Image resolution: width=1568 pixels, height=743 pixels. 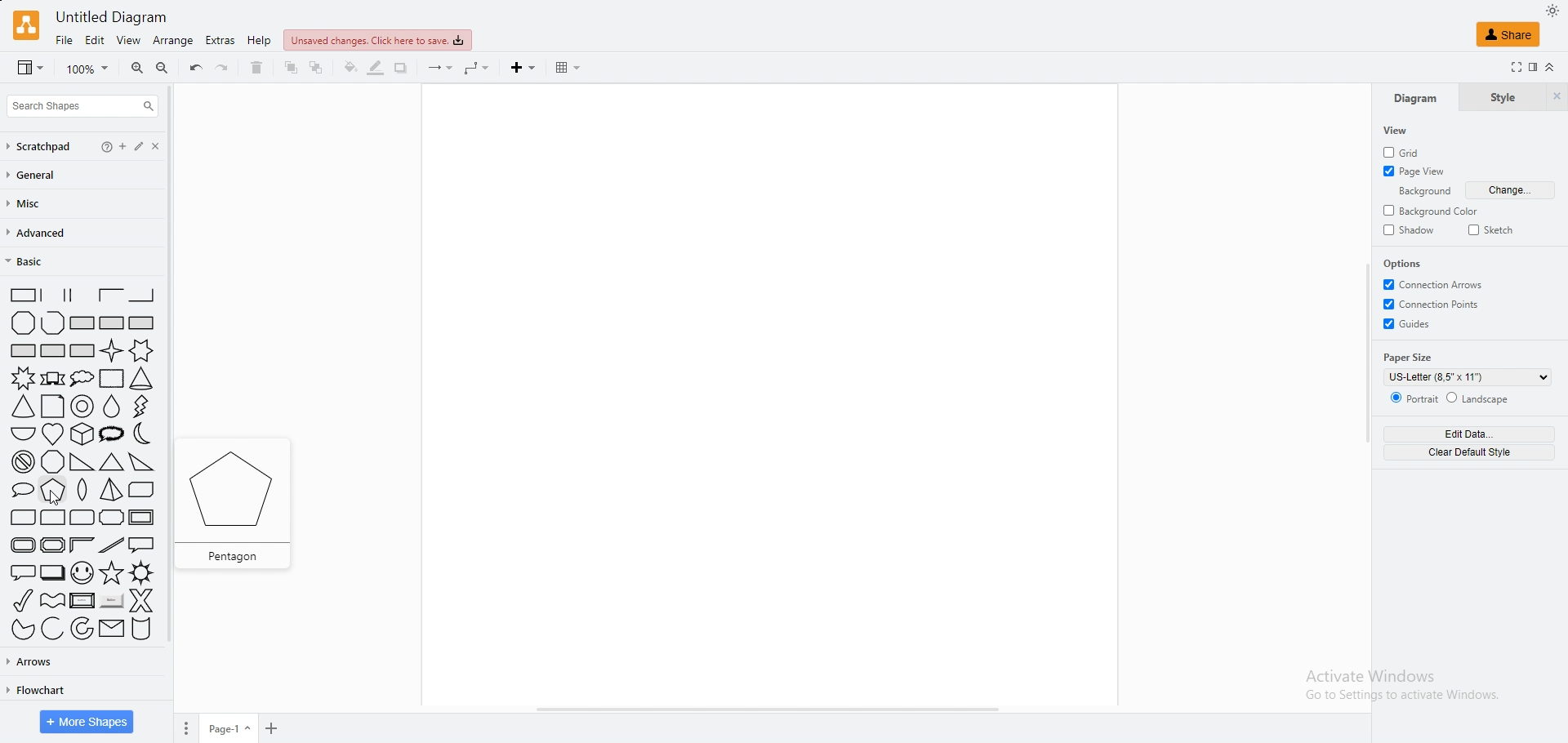 What do you see at coordinates (317, 68) in the screenshot?
I see `to back` at bounding box center [317, 68].